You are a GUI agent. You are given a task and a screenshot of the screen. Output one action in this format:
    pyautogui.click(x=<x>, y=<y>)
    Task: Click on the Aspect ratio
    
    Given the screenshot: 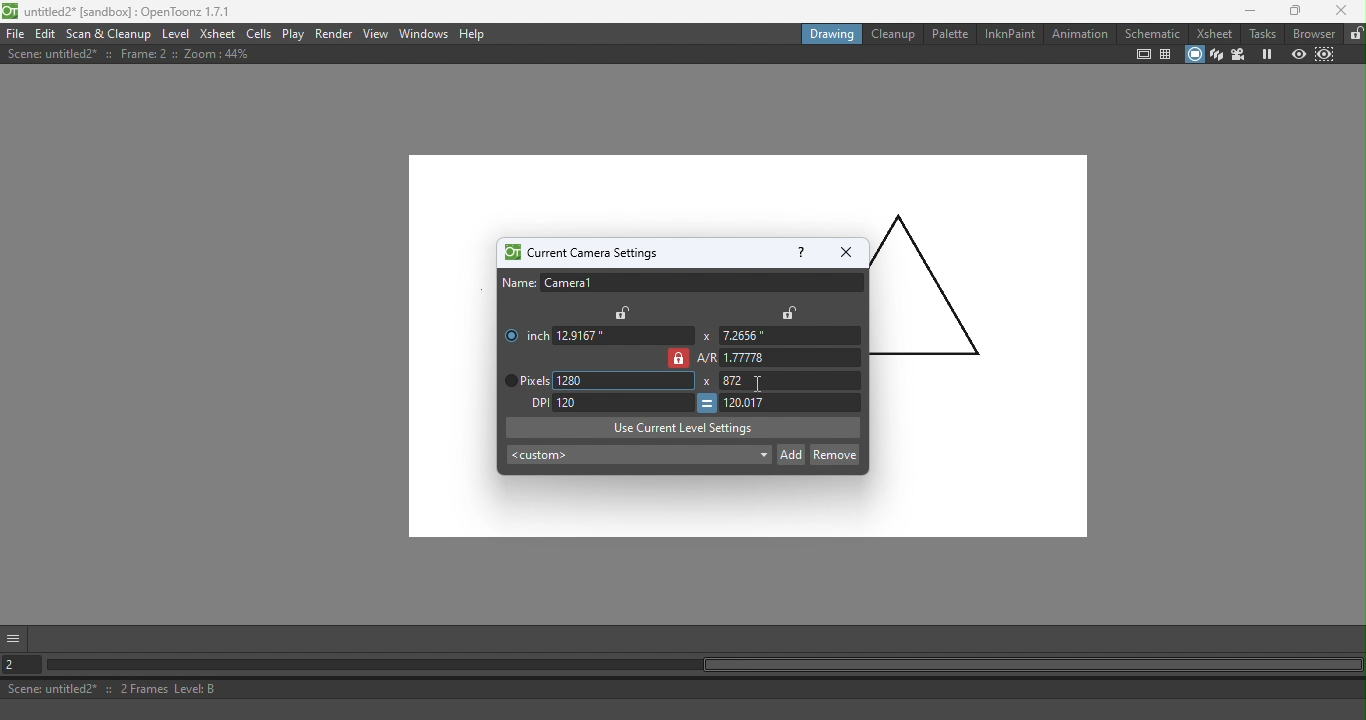 What is the action you would take?
    pyautogui.click(x=780, y=358)
    